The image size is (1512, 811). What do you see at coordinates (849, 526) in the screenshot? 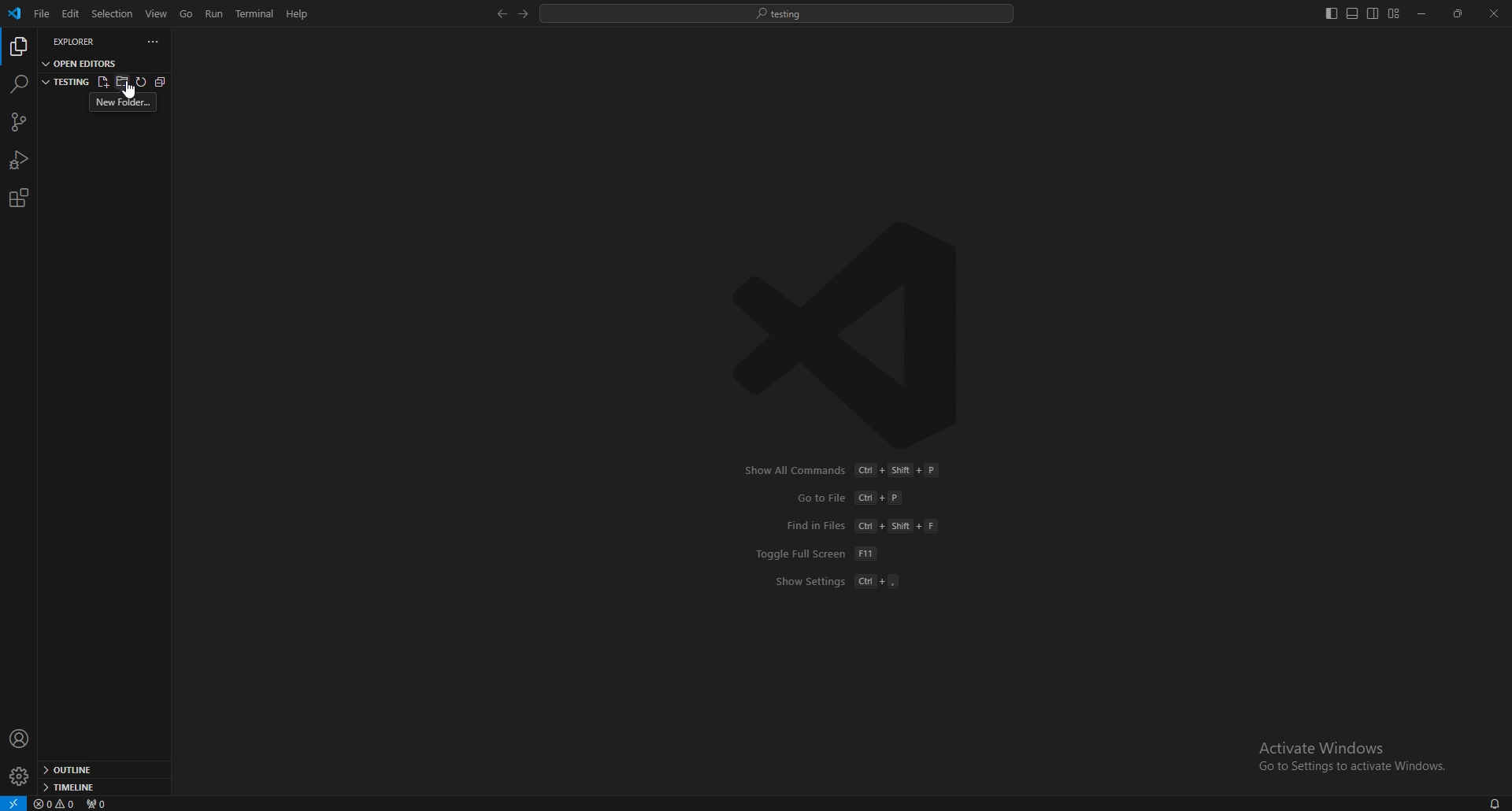
I see `shortcuts` at bounding box center [849, 526].